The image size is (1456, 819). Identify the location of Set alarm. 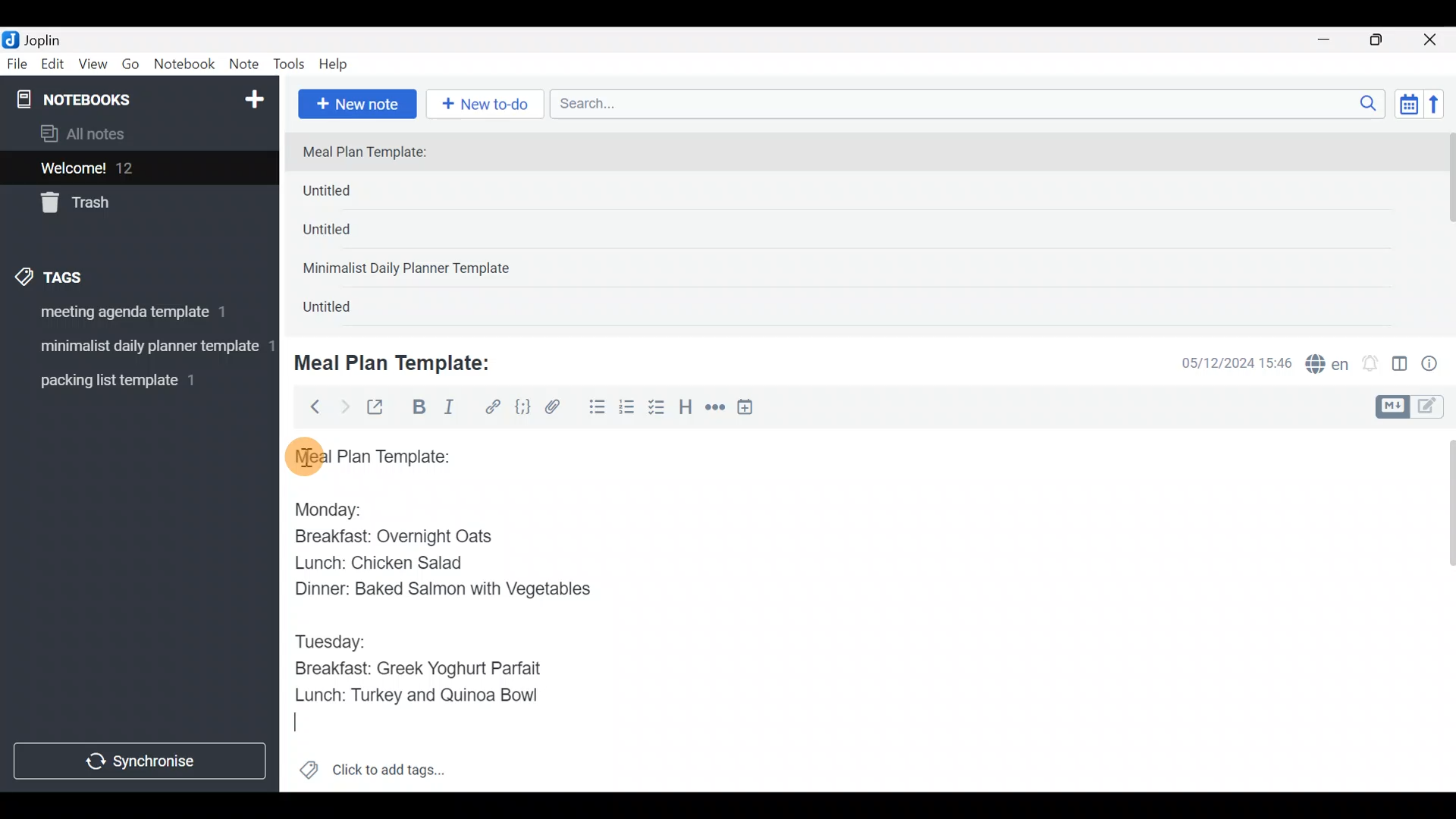
(1371, 365).